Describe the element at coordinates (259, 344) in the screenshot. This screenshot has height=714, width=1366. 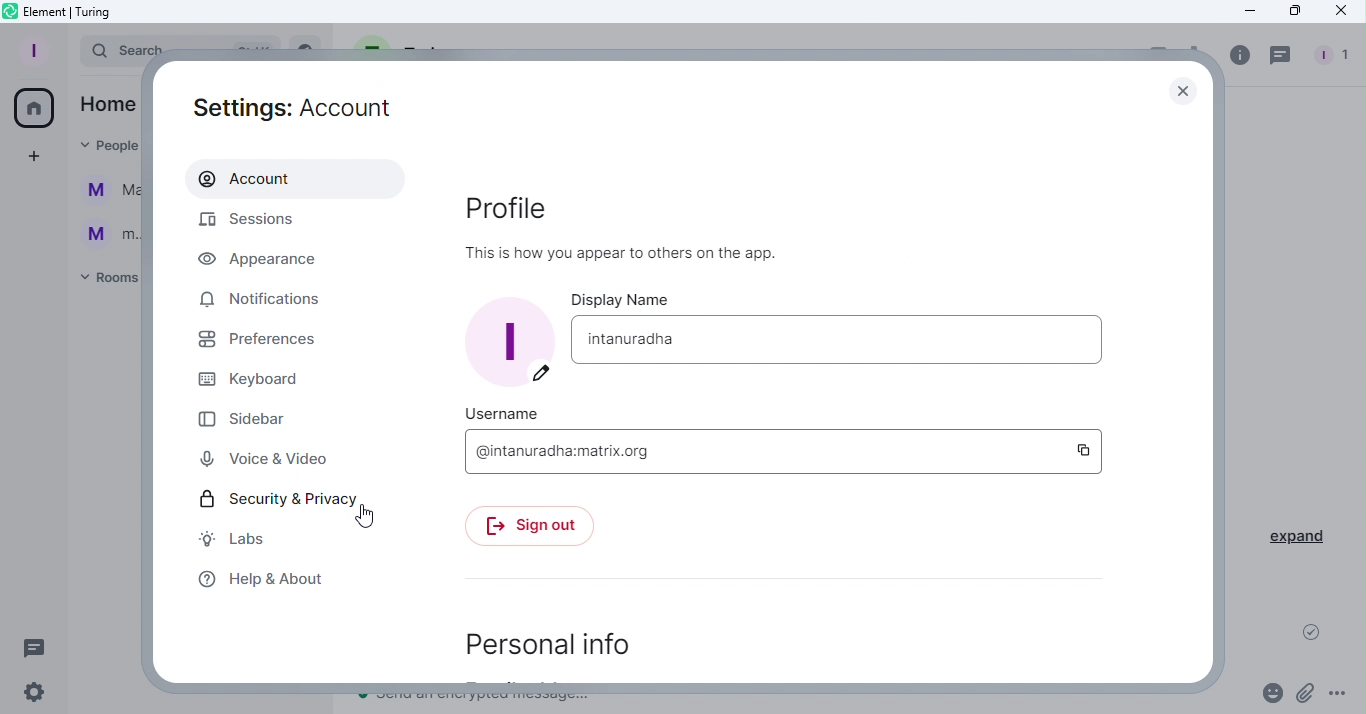
I see `Preferences` at that location.